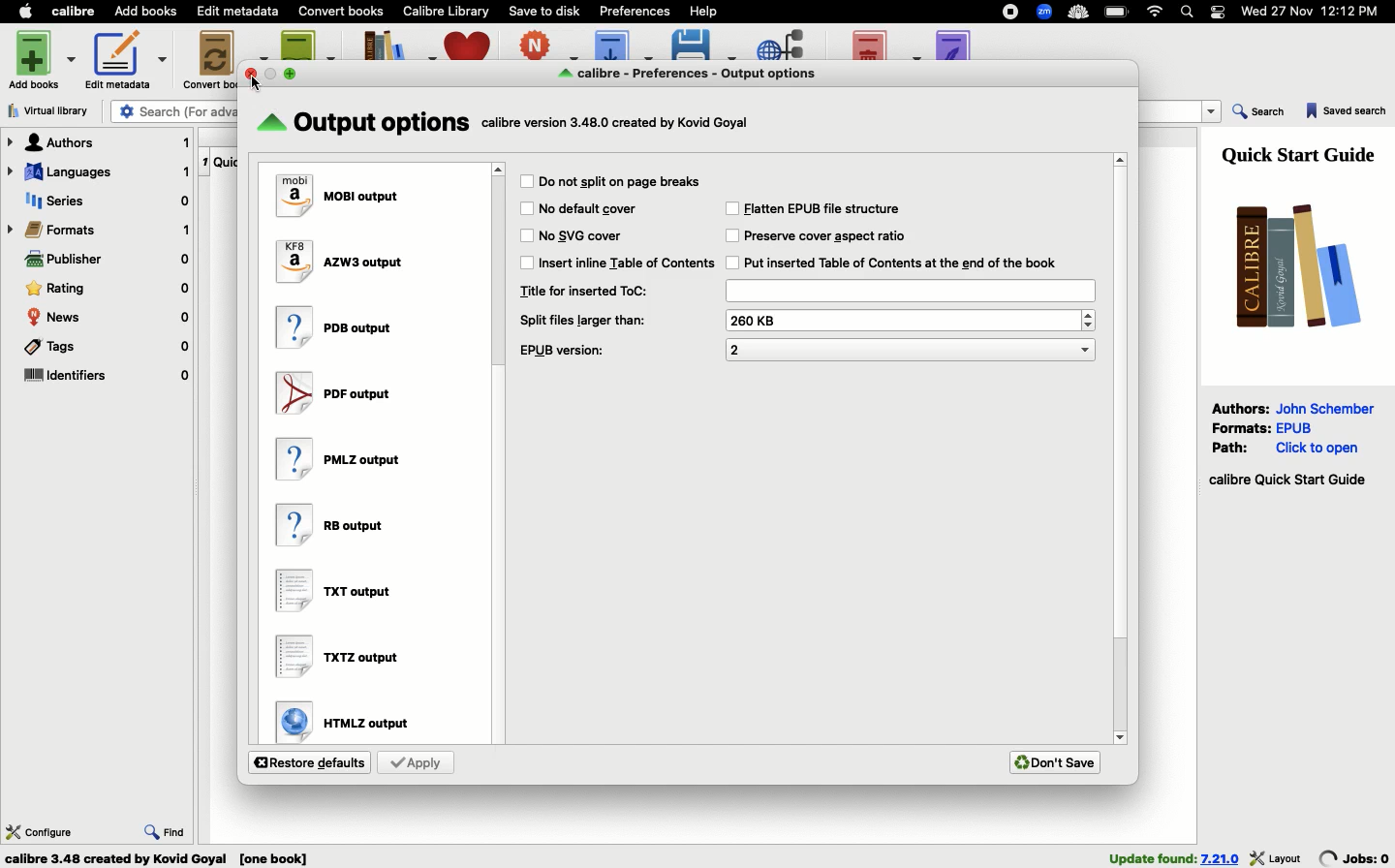 The height and width of the screenshot is (868, 1395). I want to click on Publisher, so click(107, 262).